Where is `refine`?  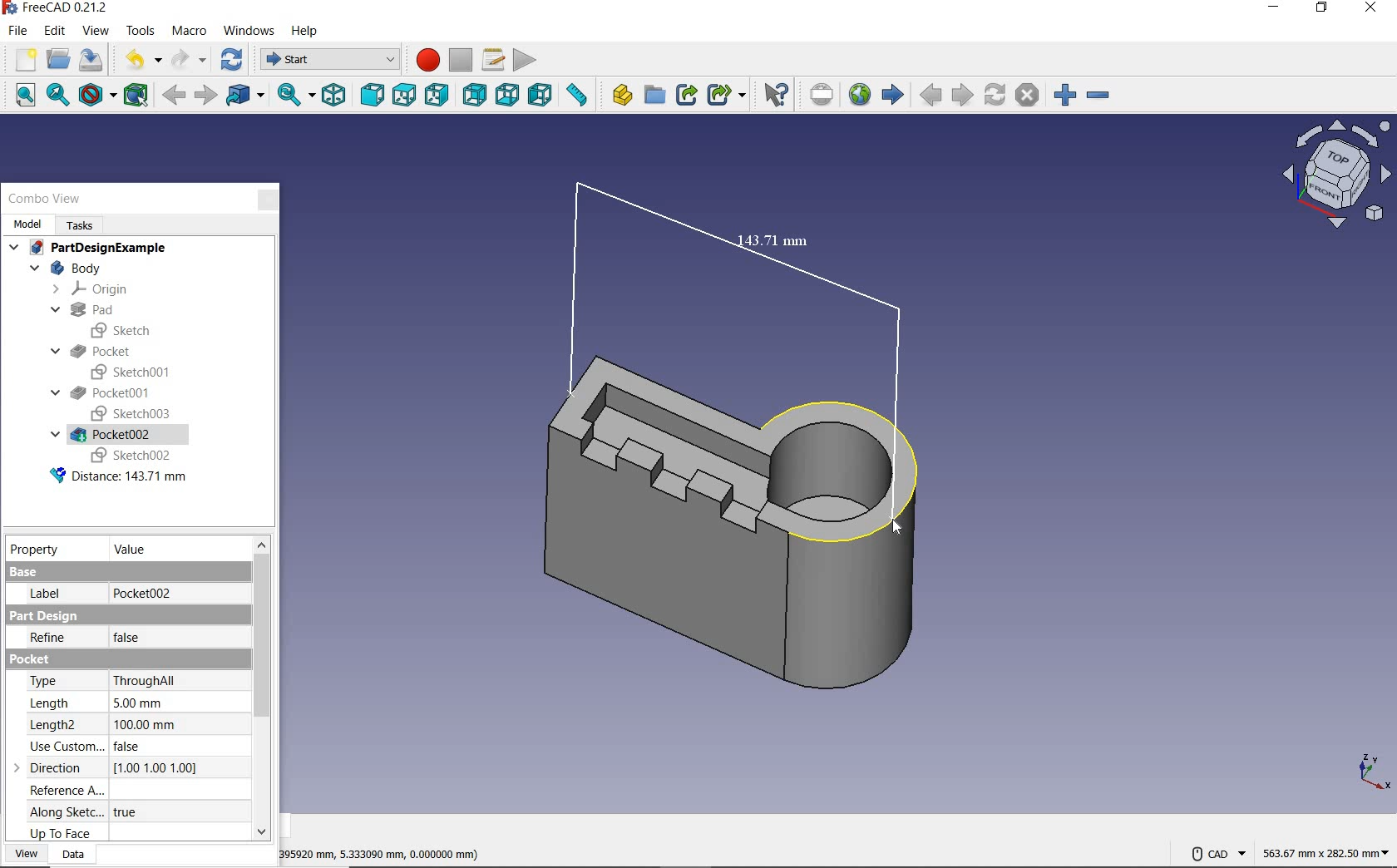
refine is located at coordinates (43, 637).